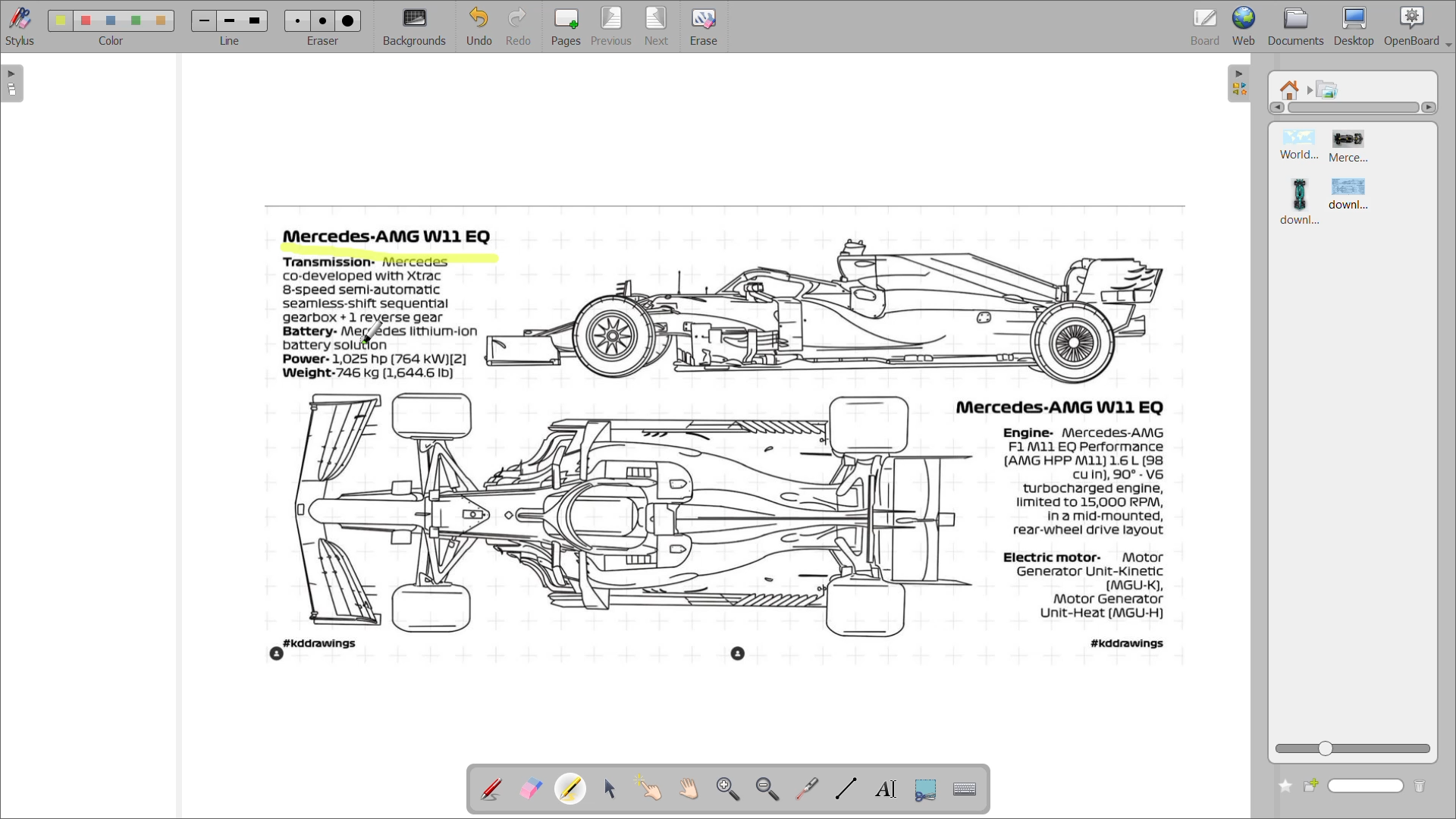 The image size is (1456, 819). I want to click on zoom slider, so click(1350, 750).